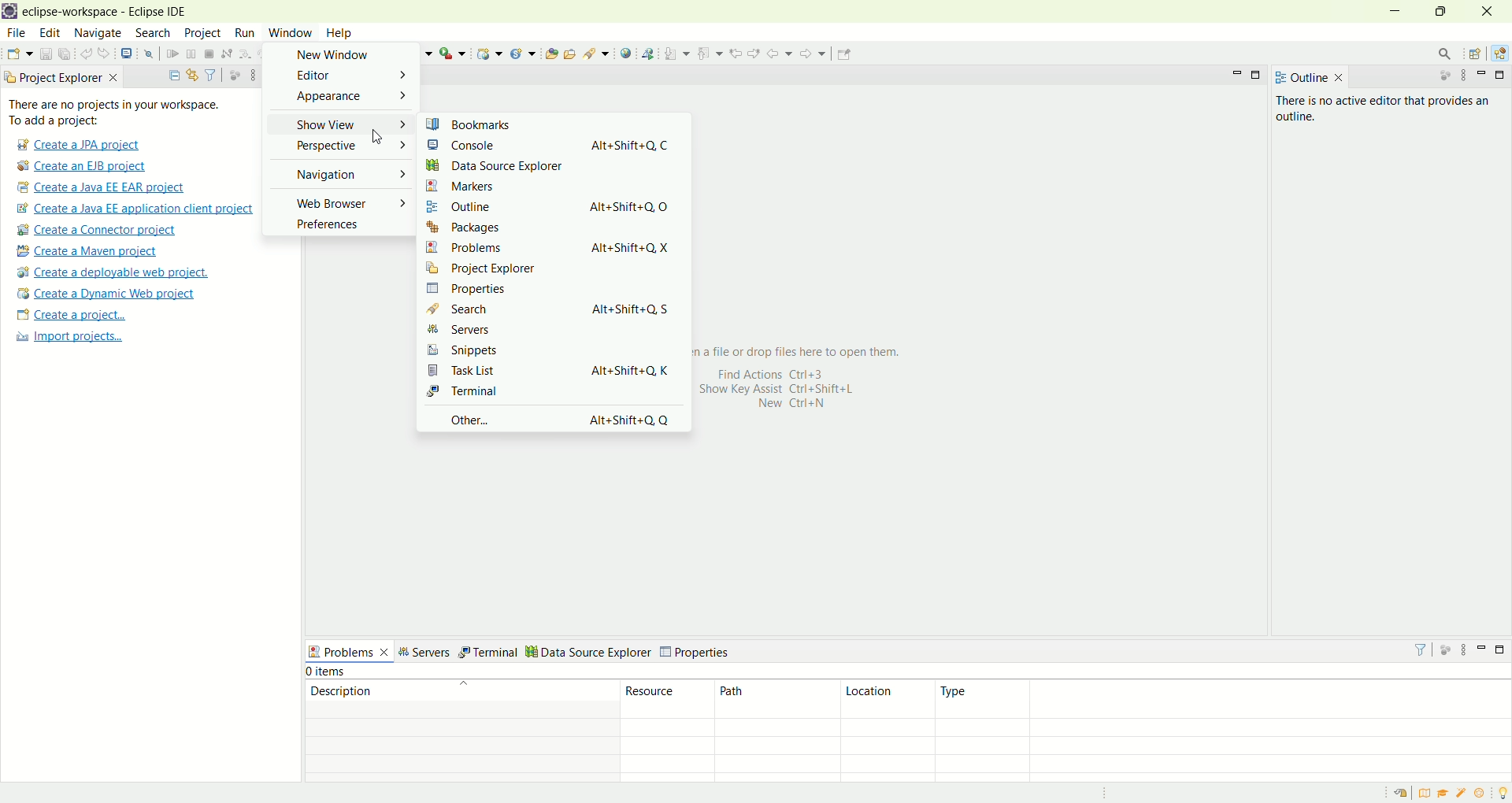 The image size is (1512, 803). What do you see at coordinates (76, 146) in the screenshot?
I see `create a JPA project` at bounding box center [76, 146].